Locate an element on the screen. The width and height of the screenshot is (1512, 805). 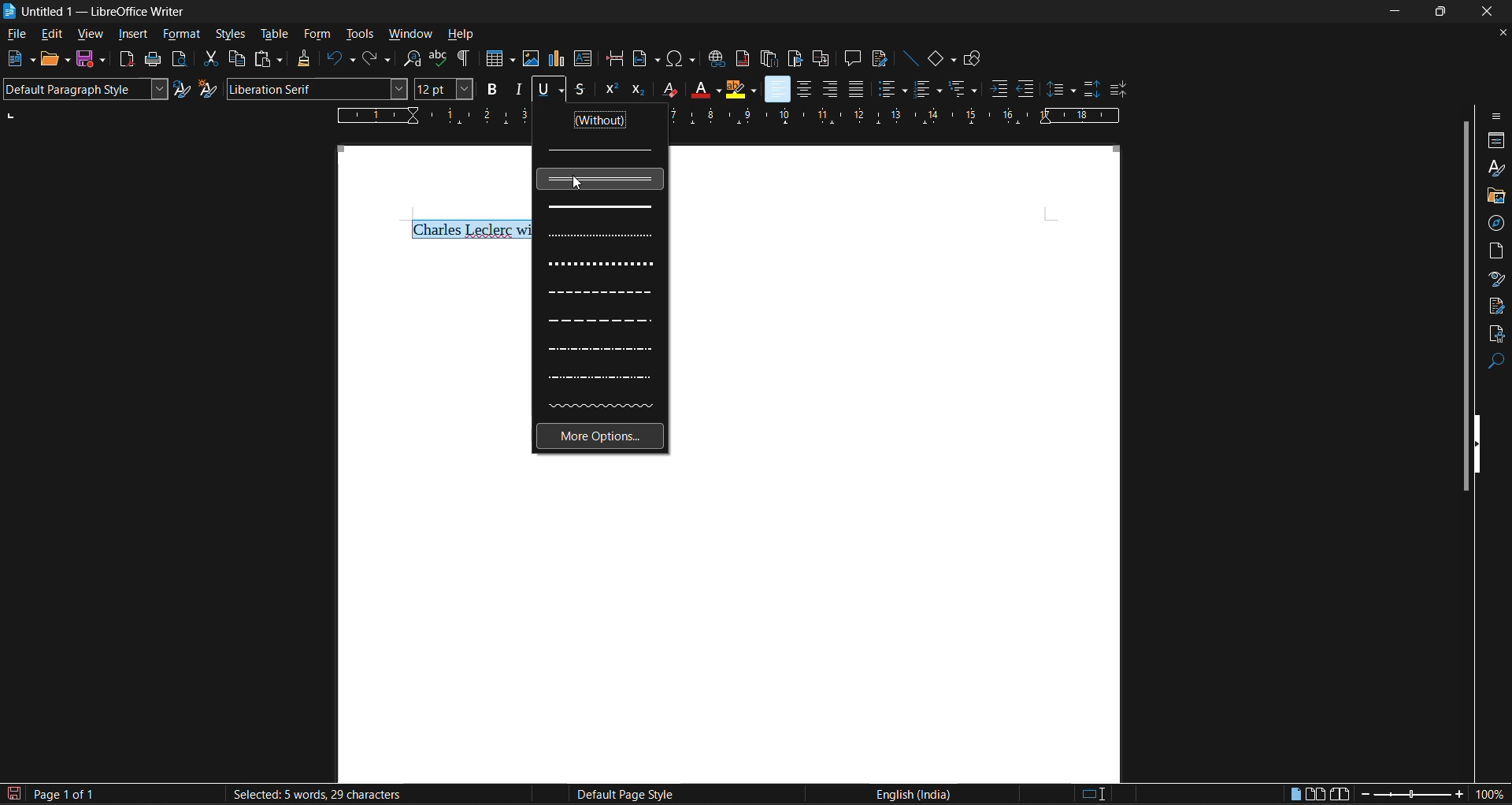
undo is located at coordinates (338, 58).